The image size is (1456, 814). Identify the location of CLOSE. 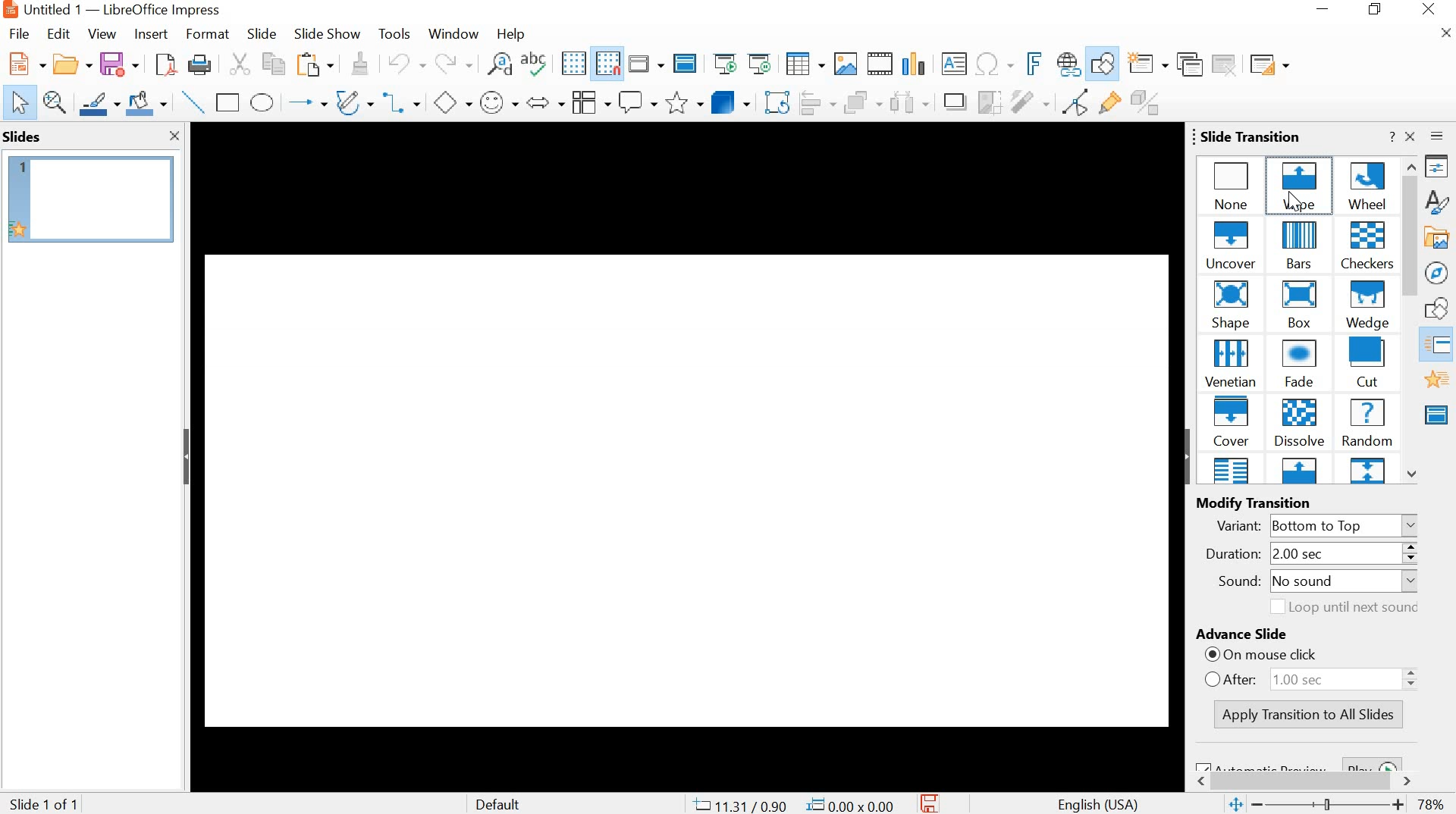
(173, 136).